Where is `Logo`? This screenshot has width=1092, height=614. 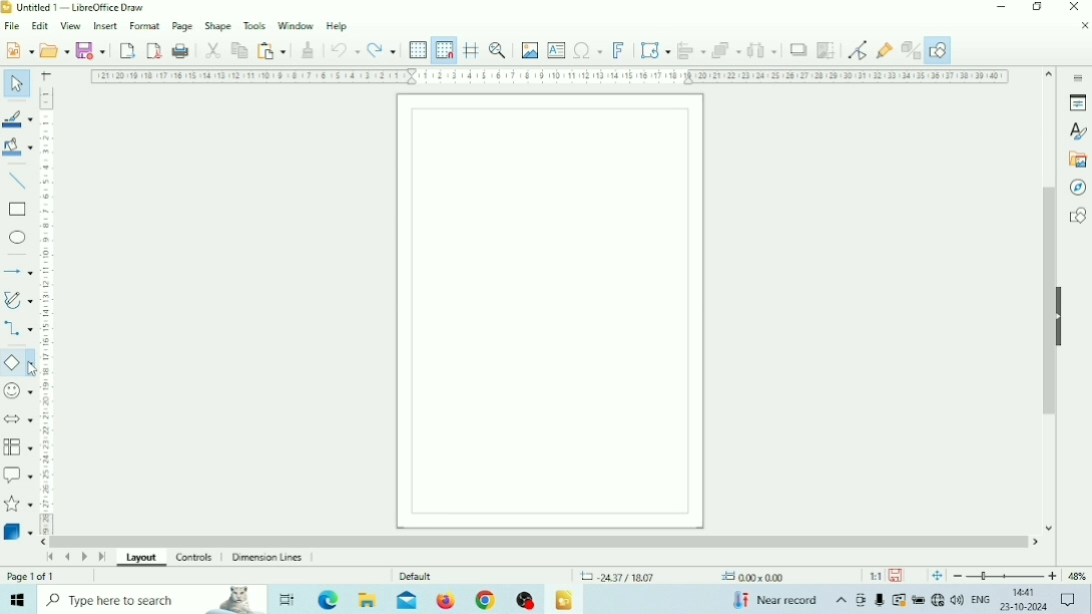
Logo is located at coordinates (7, 8).